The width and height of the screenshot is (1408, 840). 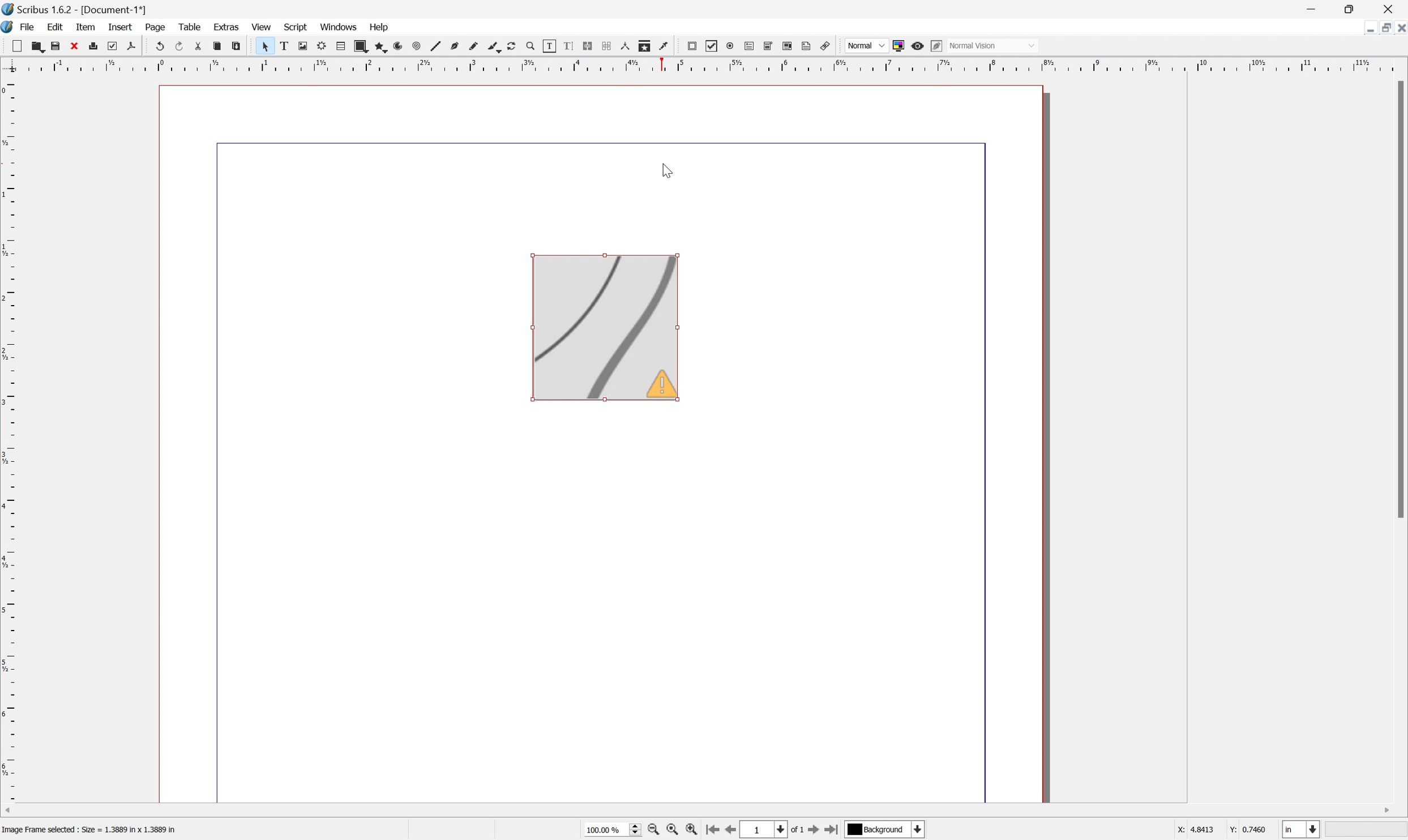 I want to click on Minimize, so click(x=1360, y=28).